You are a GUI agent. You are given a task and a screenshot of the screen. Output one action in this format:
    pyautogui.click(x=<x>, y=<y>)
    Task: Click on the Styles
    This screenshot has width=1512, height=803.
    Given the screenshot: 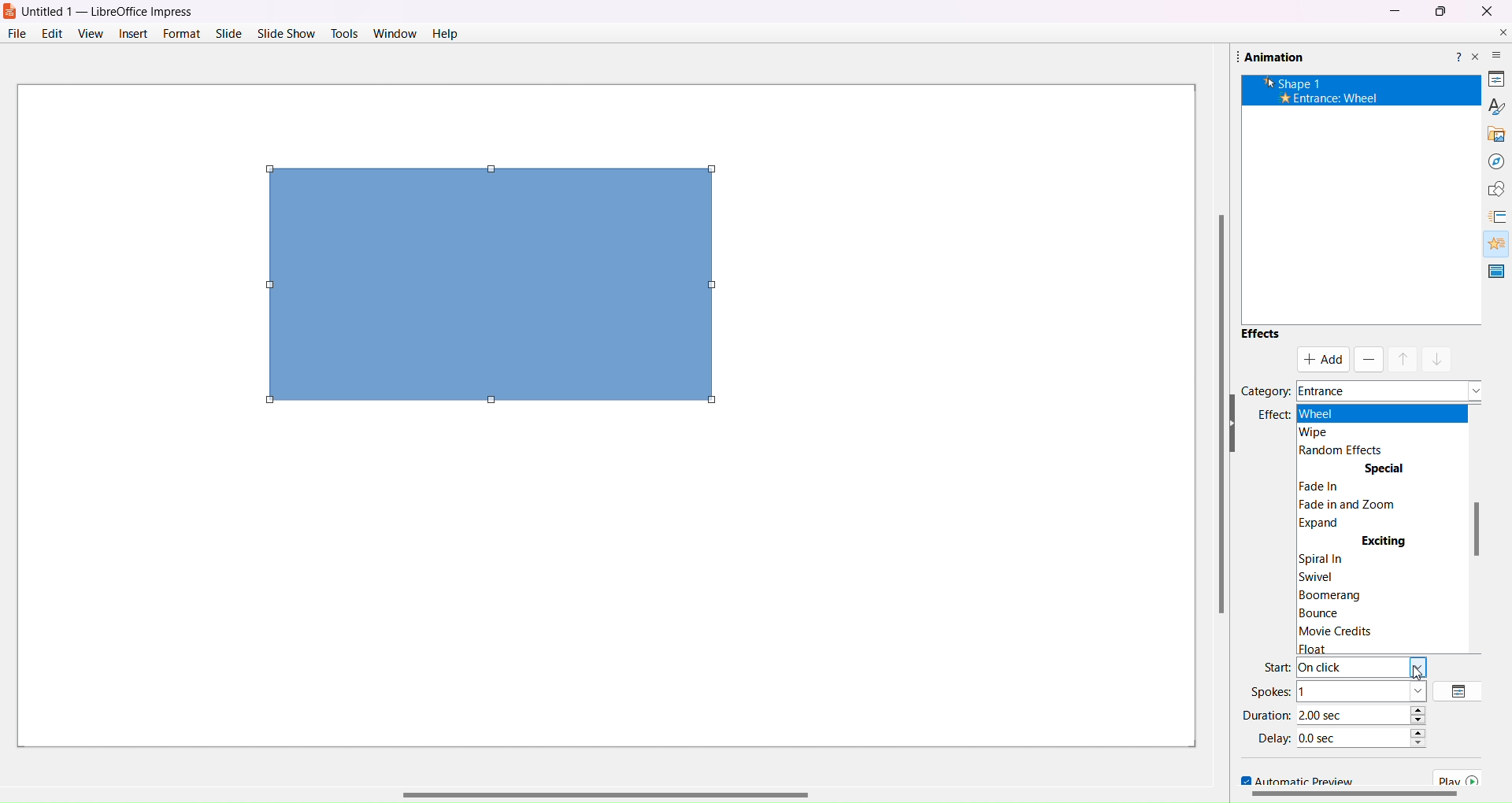 What is the action you would take?
    pyautogui.click(x=1491, y=105)
    